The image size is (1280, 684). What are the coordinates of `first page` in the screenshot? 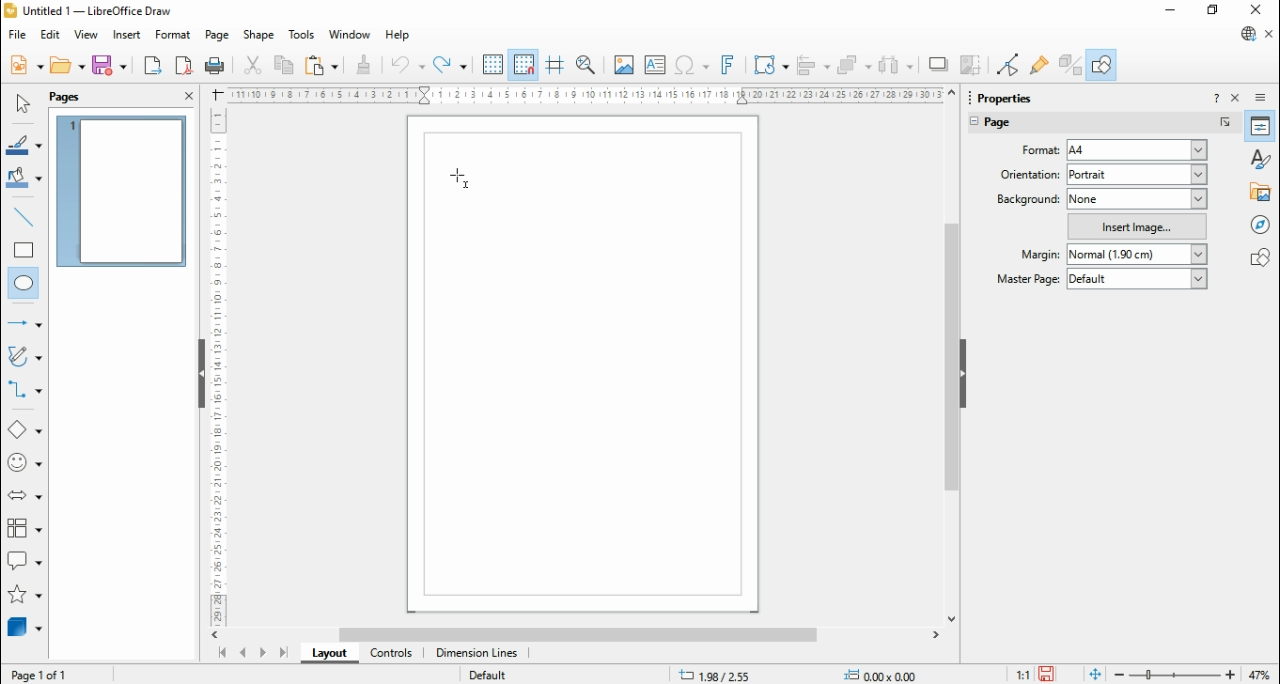 It's located at (221, 654).